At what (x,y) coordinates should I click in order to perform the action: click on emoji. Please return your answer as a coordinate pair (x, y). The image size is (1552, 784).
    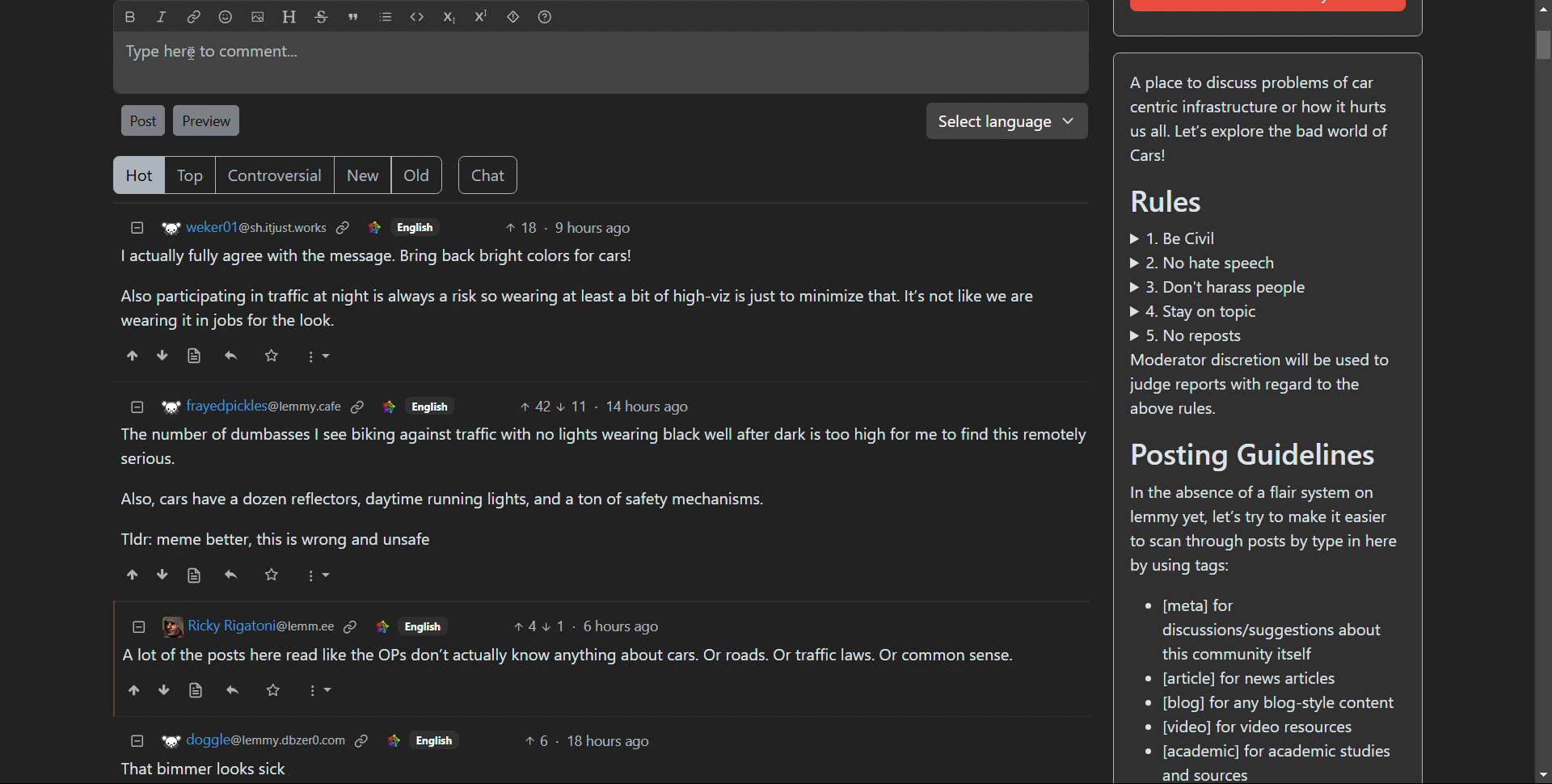
    Looking at the image, I should click on (226, 17).